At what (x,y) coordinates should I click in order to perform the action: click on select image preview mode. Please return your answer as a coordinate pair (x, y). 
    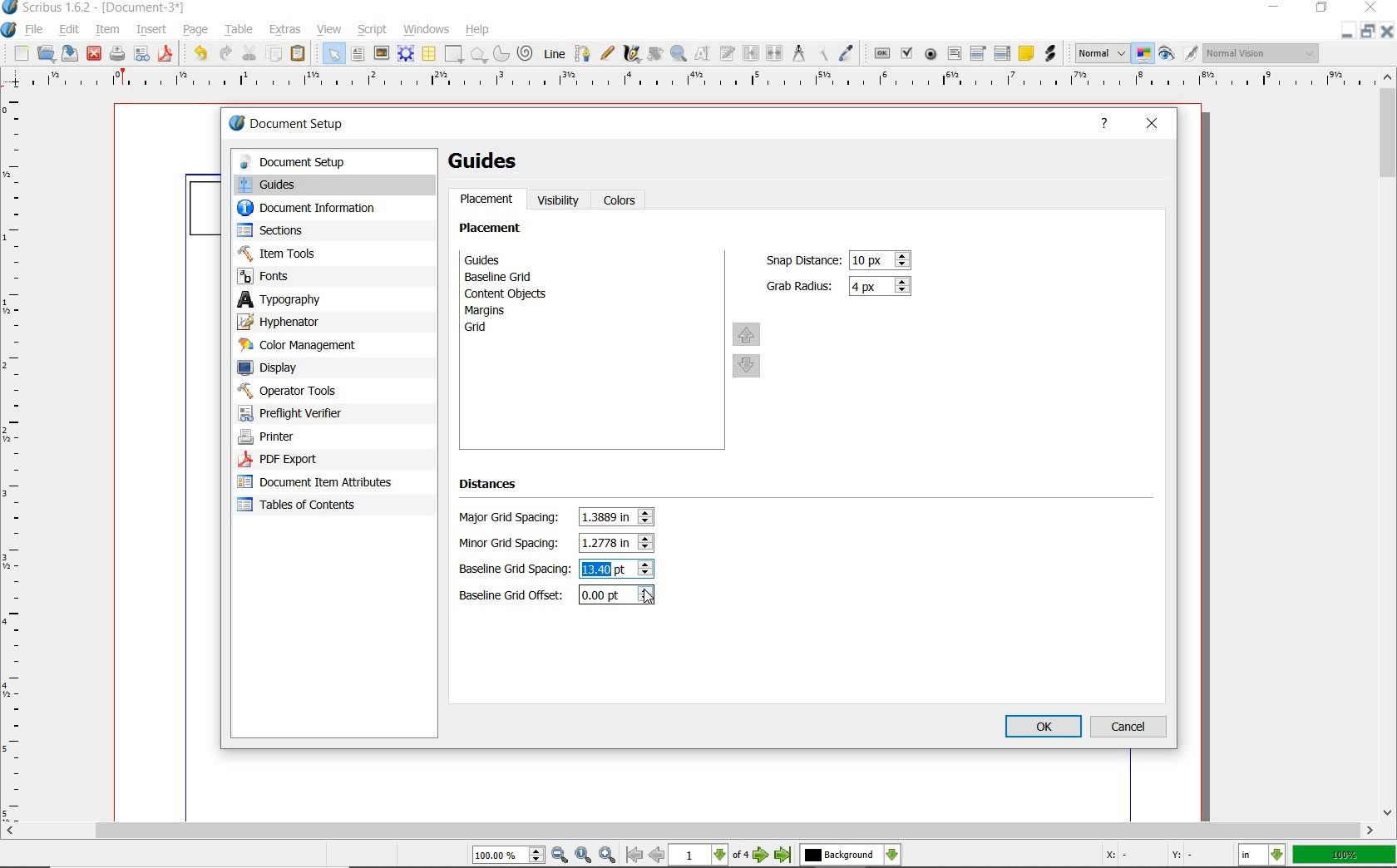
    Looking at the image, I should click on (1102, 52).